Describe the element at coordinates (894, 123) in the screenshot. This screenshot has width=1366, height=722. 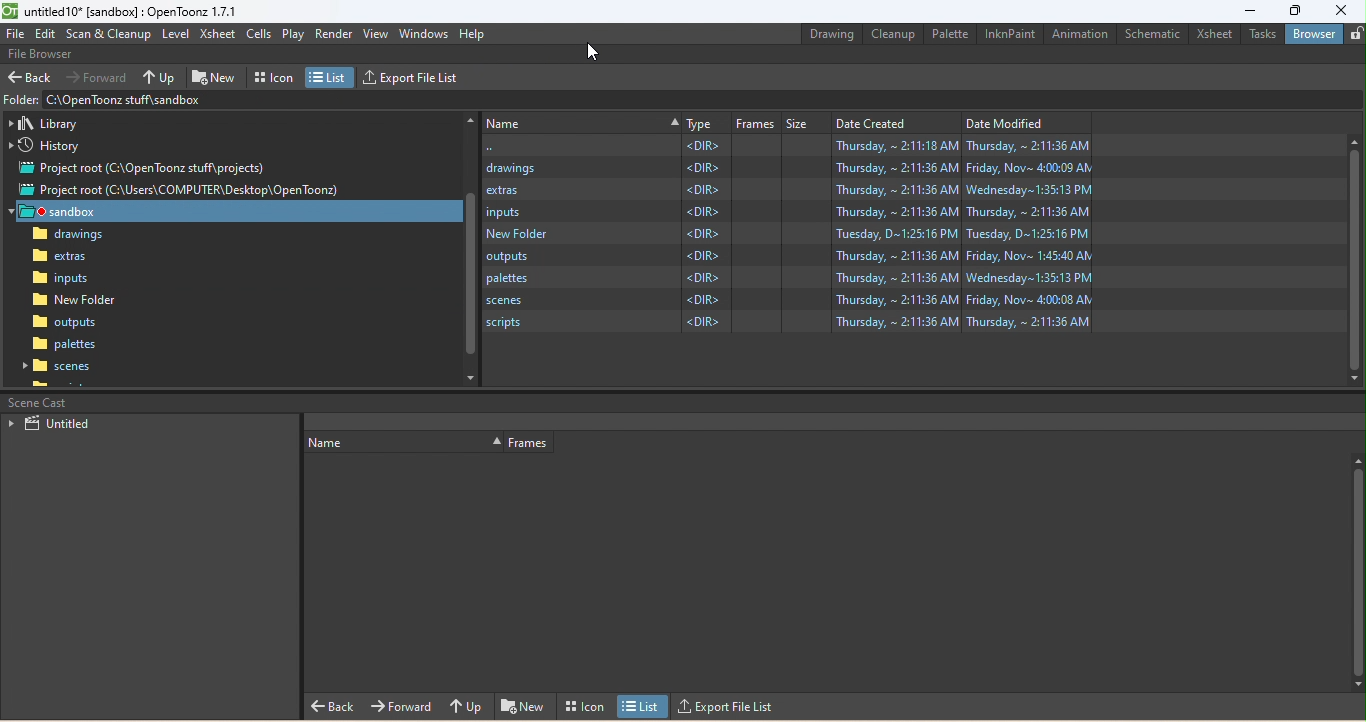
I see `Date created` at that location.